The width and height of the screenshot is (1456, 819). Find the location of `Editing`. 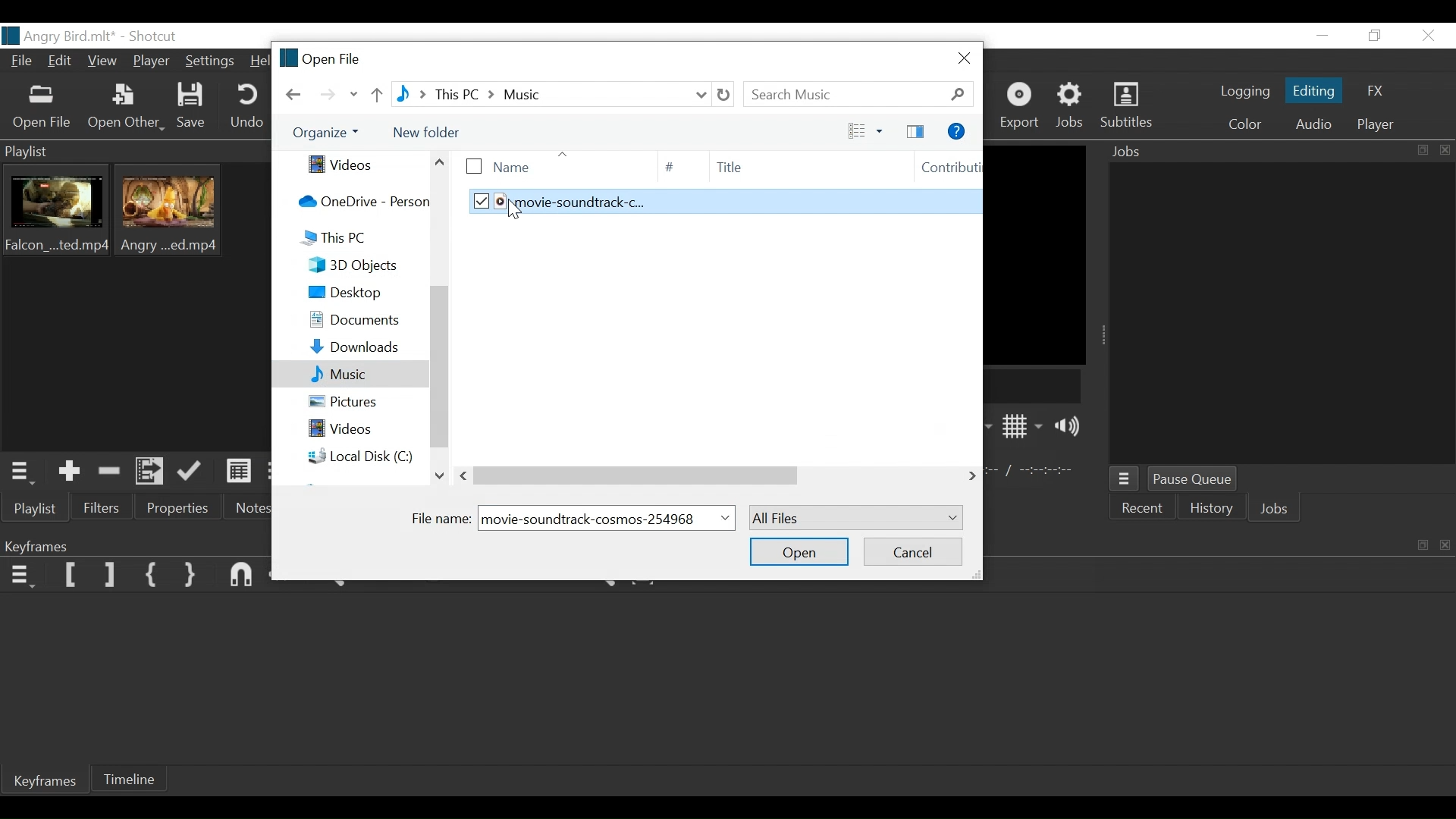

Editing is located at coordinates (1312, 89).